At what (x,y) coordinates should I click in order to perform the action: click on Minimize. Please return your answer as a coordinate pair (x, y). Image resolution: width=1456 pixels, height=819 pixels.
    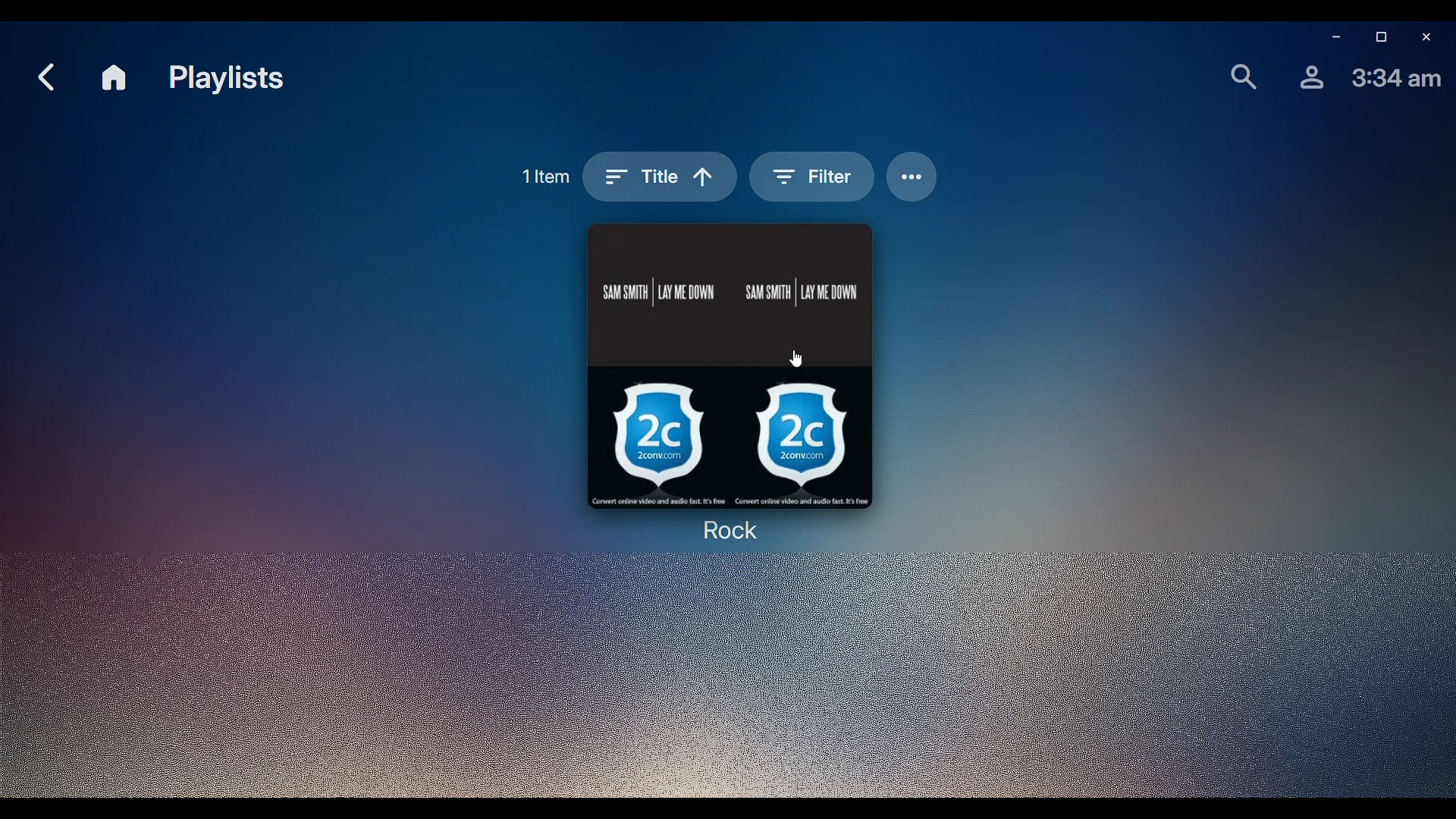
    Looking at the image, I should click on (1332, 39).